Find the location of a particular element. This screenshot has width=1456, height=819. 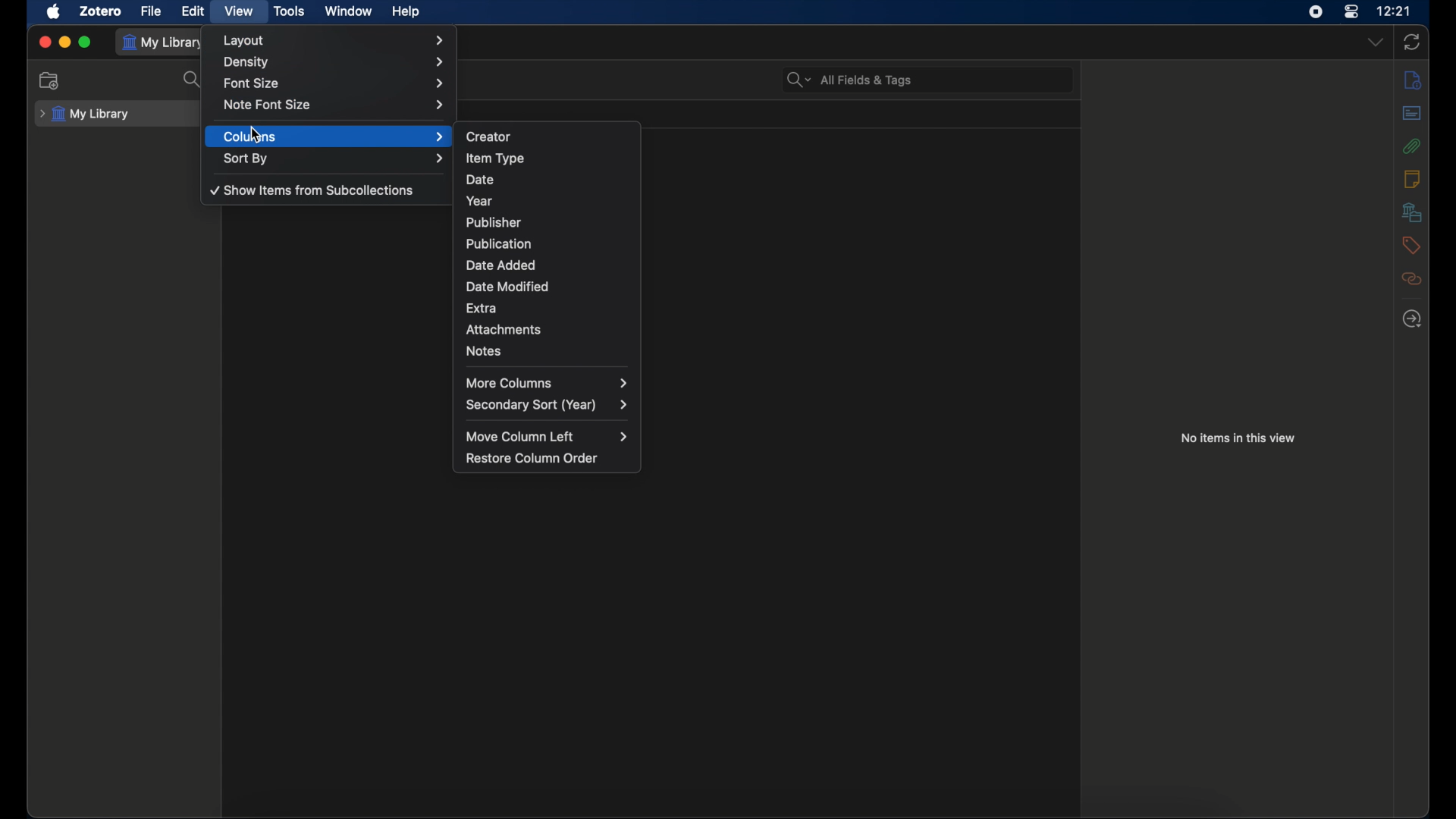

layout is located at coordinates (336, 40).